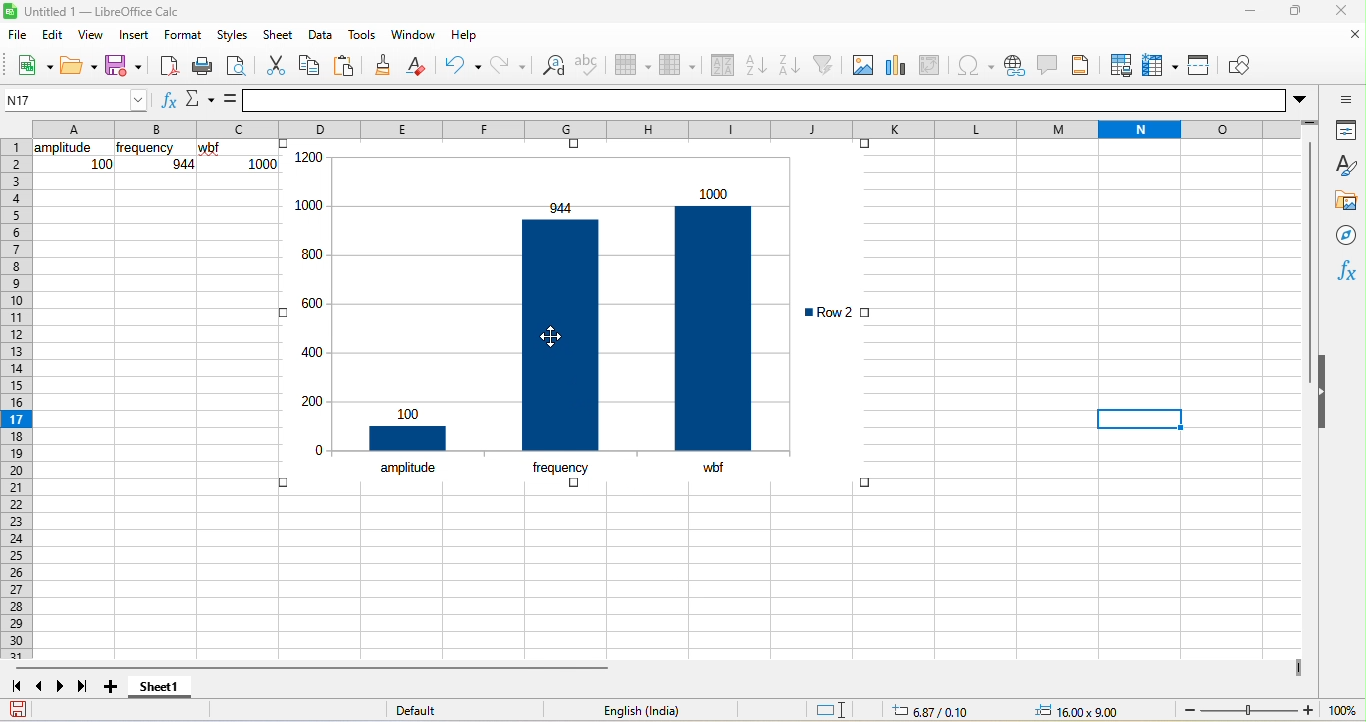 This screenshot has width=1366, height=722. Describe the element at coordinates (27, 65) in the screenshot. I see `new` at that location.